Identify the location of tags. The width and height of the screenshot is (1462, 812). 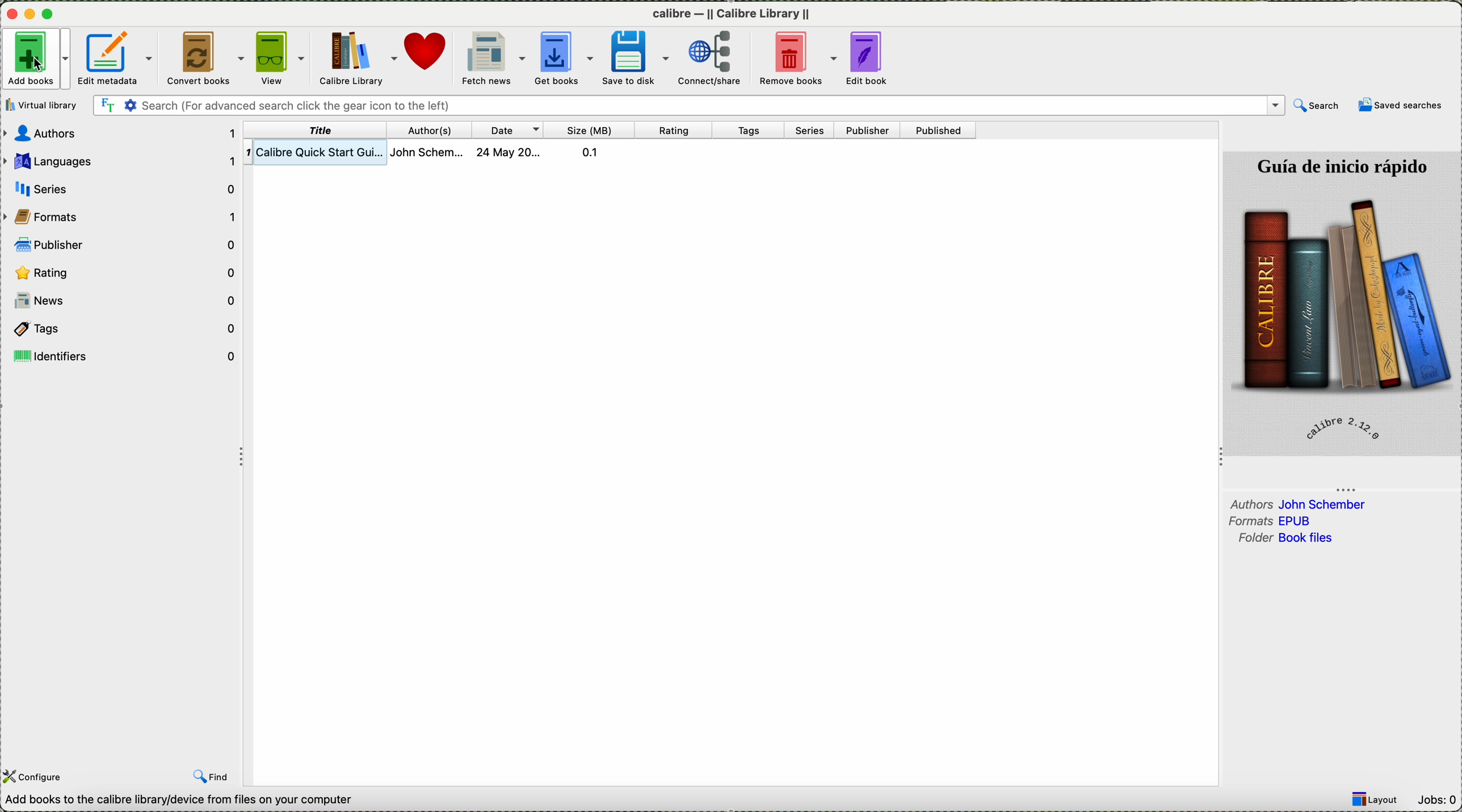
(125, 329).